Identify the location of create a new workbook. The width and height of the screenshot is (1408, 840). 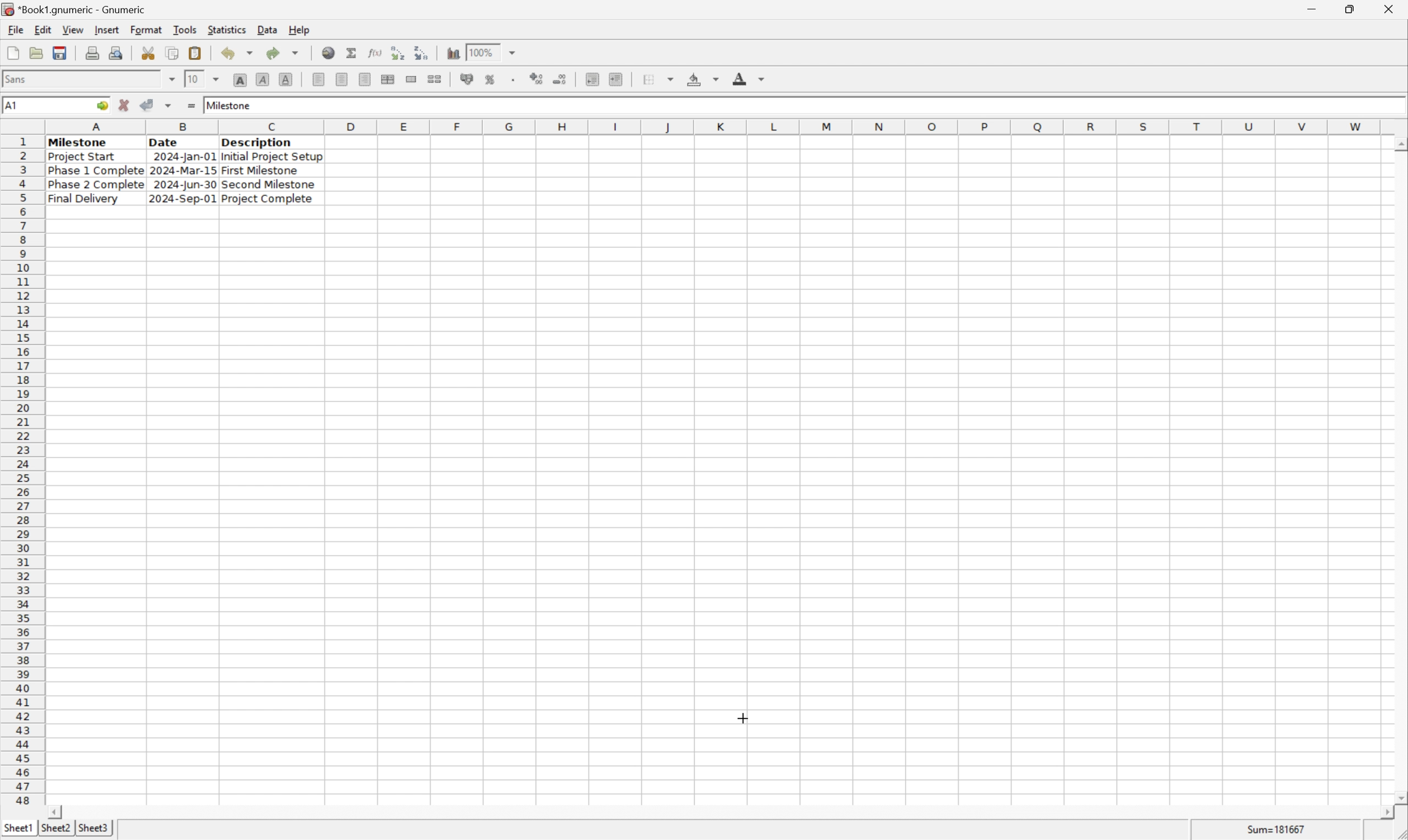
(12, 54).